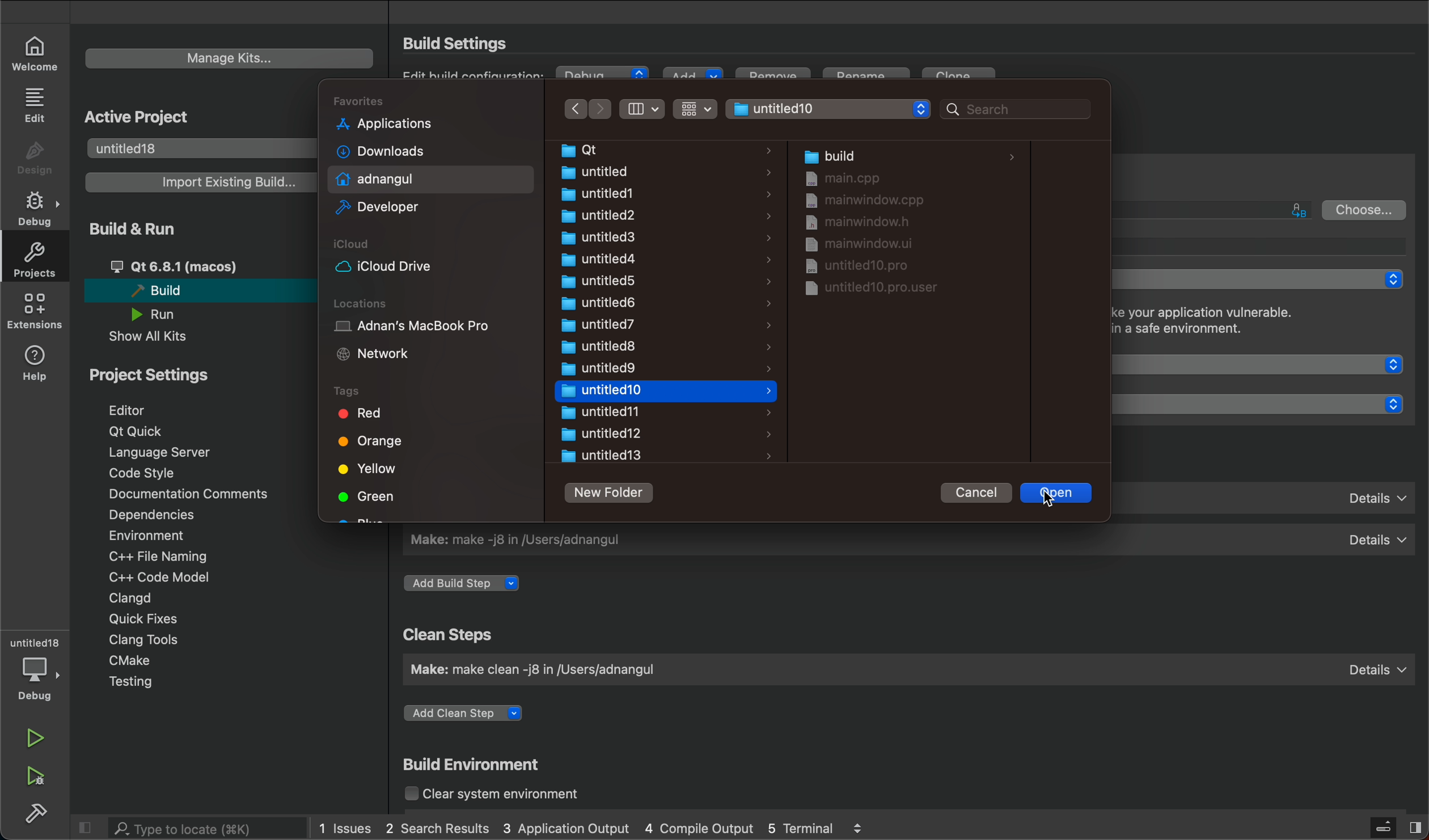  Describe the element at coordinates (380, 266) in the screenshot. I see `iCloud Drive` at that location.